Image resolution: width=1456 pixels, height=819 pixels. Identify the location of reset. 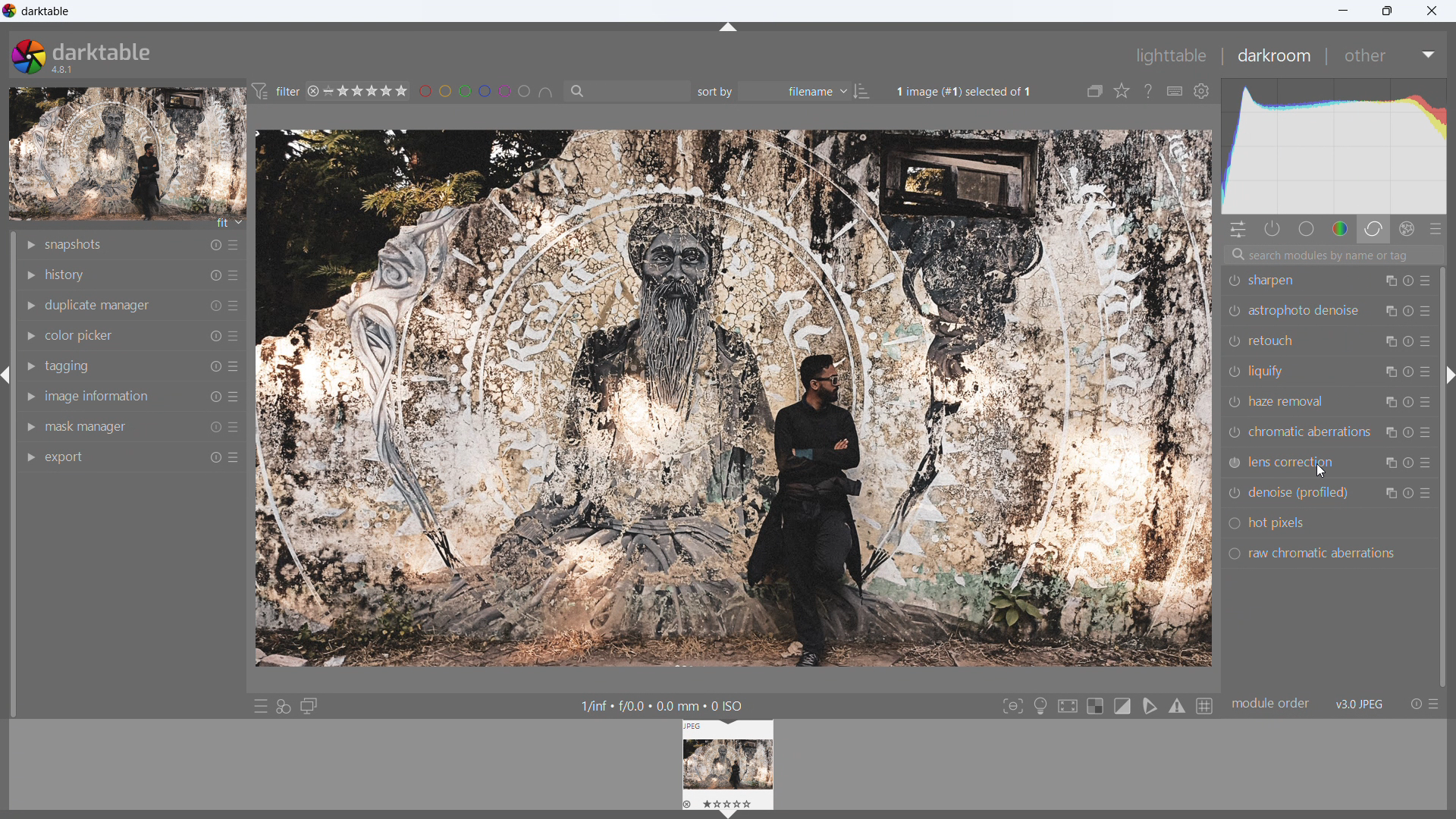
(1416, 705).